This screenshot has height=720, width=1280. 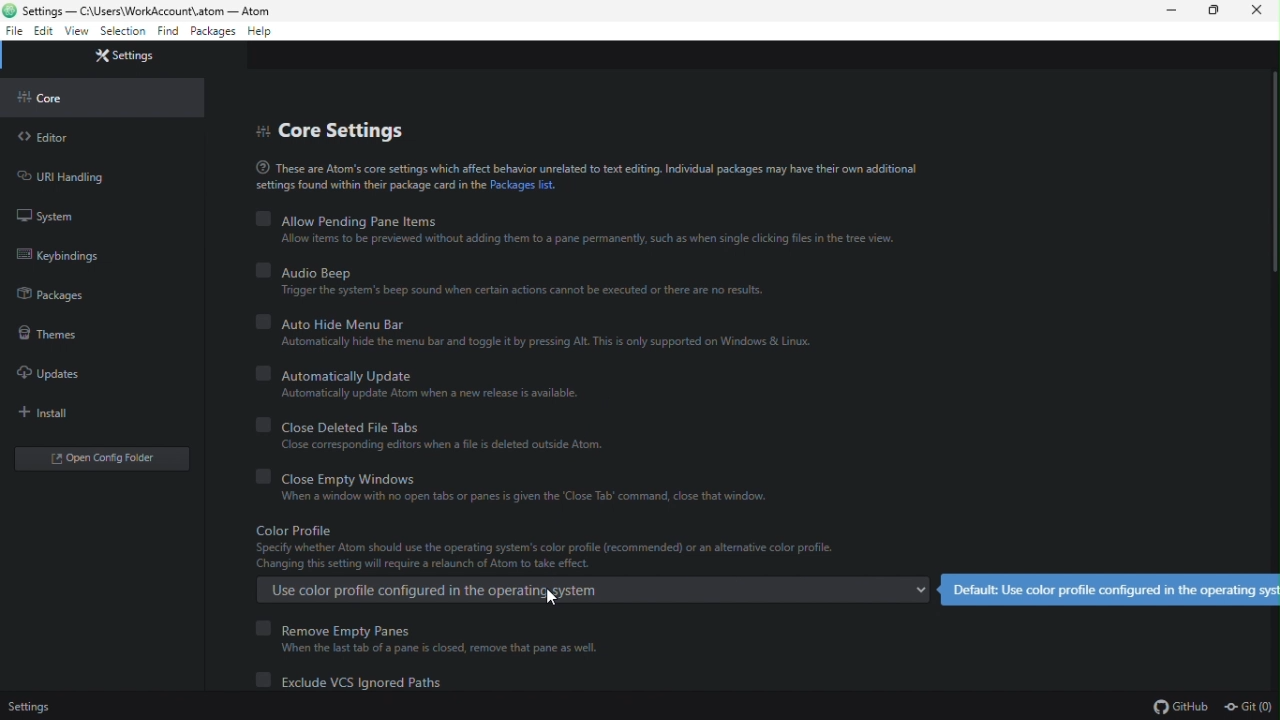 I want to click on cursor, so click(x=551, y=595).